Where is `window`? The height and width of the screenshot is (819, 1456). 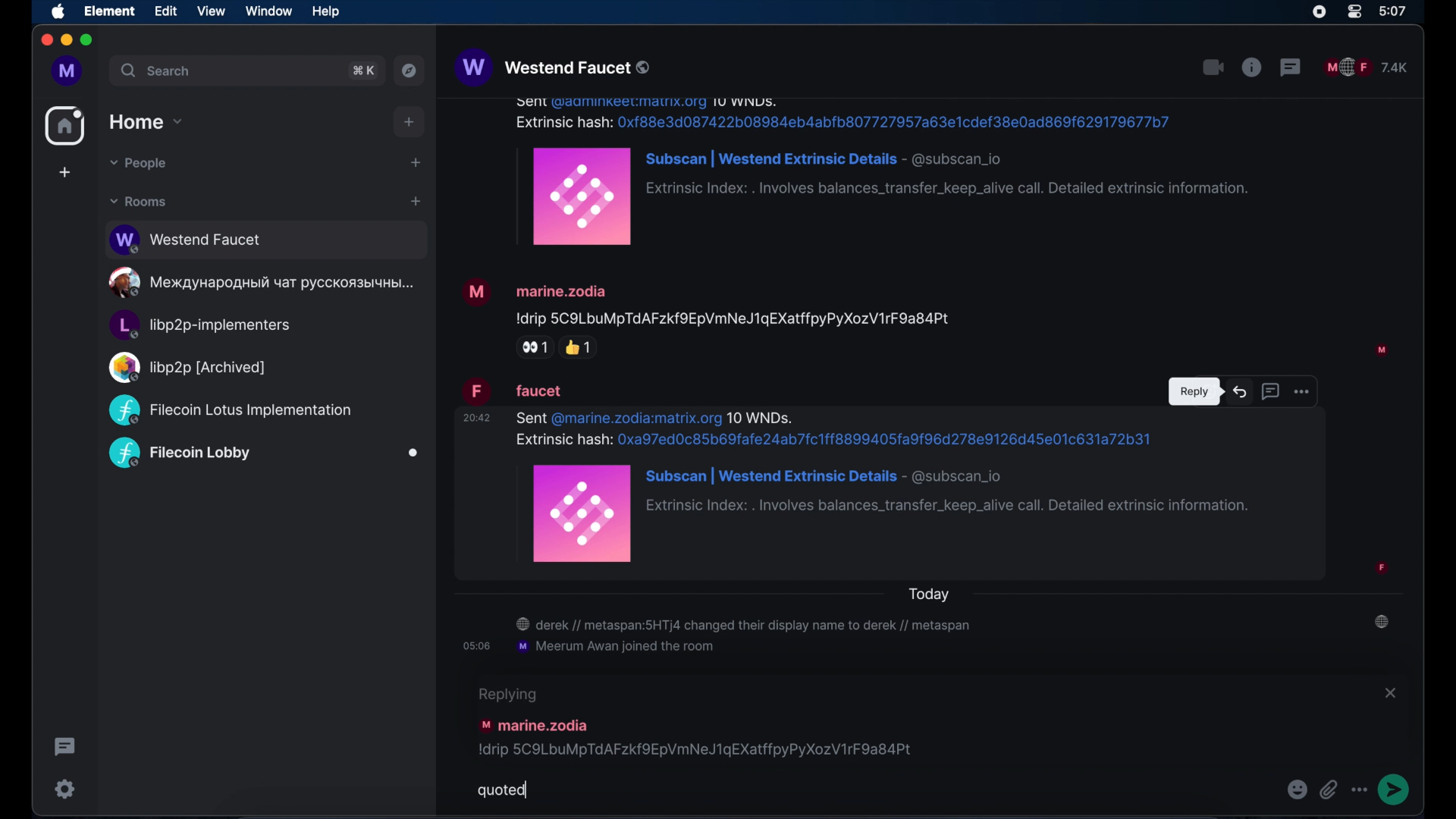
window is located at coordinates (268, 12).